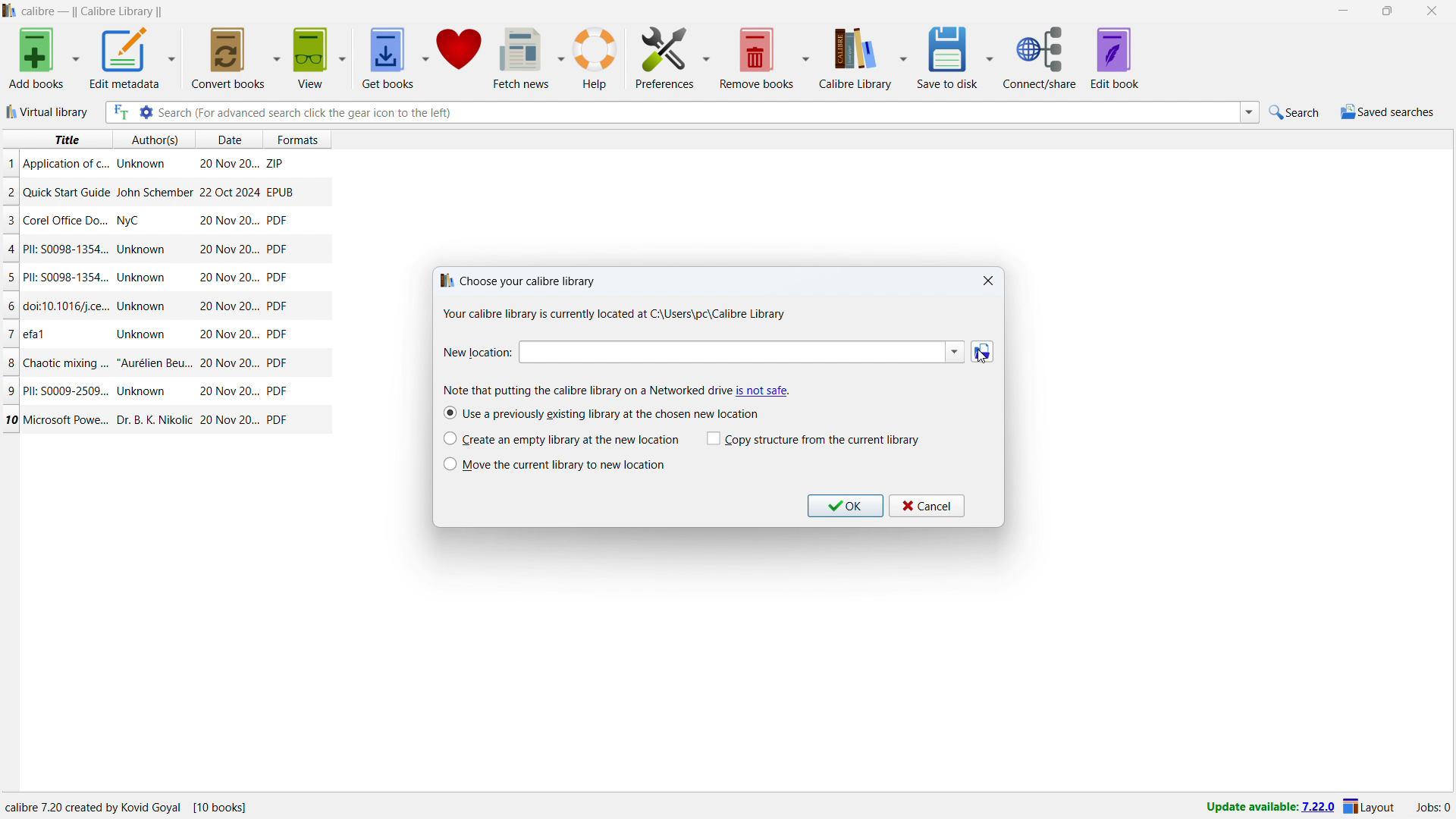 The height and width of the screenshot is (819, 1456). I want to click on Date, so click(227, 192).